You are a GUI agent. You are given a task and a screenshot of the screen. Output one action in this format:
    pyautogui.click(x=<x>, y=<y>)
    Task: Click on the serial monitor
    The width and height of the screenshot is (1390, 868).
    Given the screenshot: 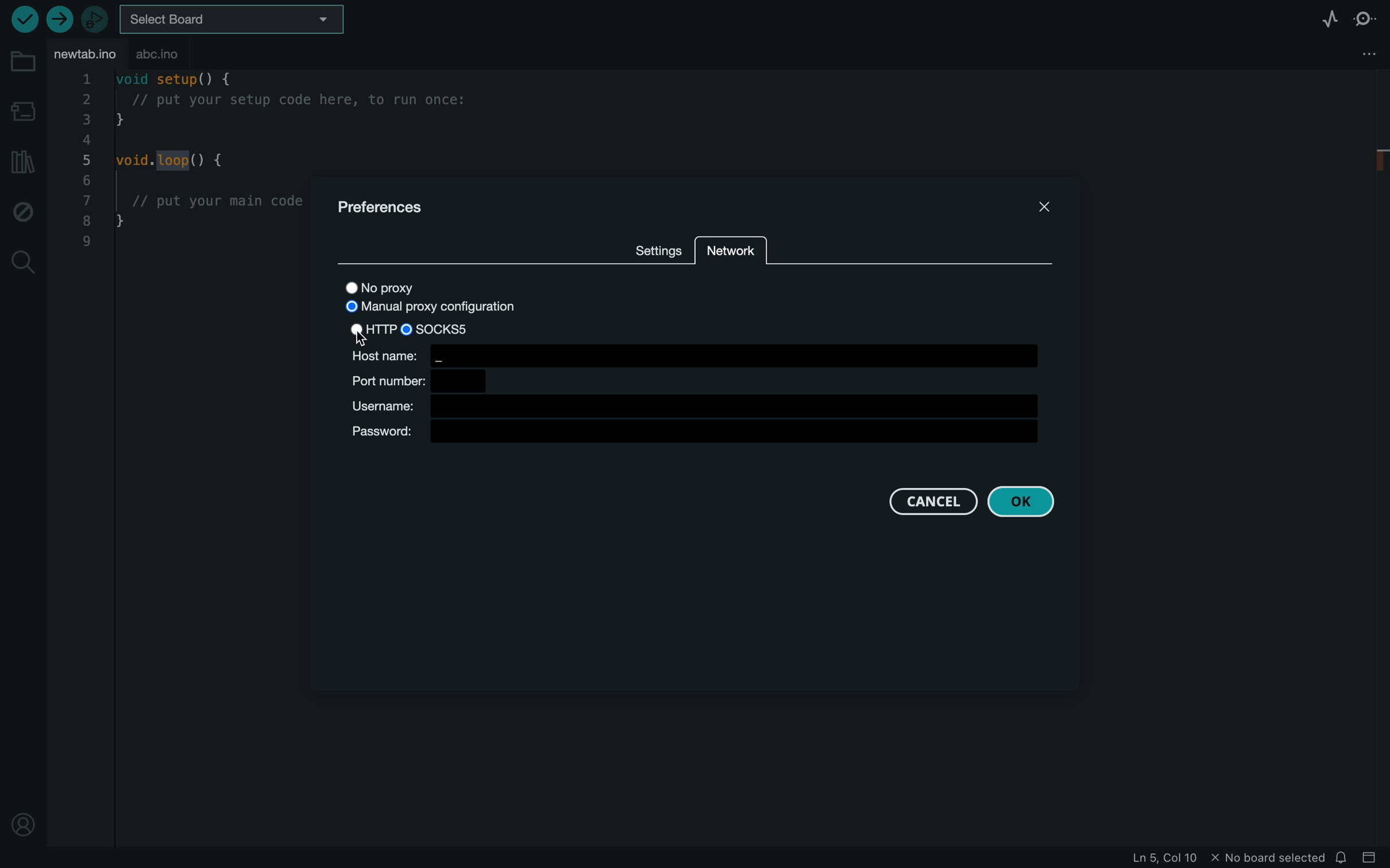 What is the action you would take?
    pyautogui.click(x=1366, y=18)
    